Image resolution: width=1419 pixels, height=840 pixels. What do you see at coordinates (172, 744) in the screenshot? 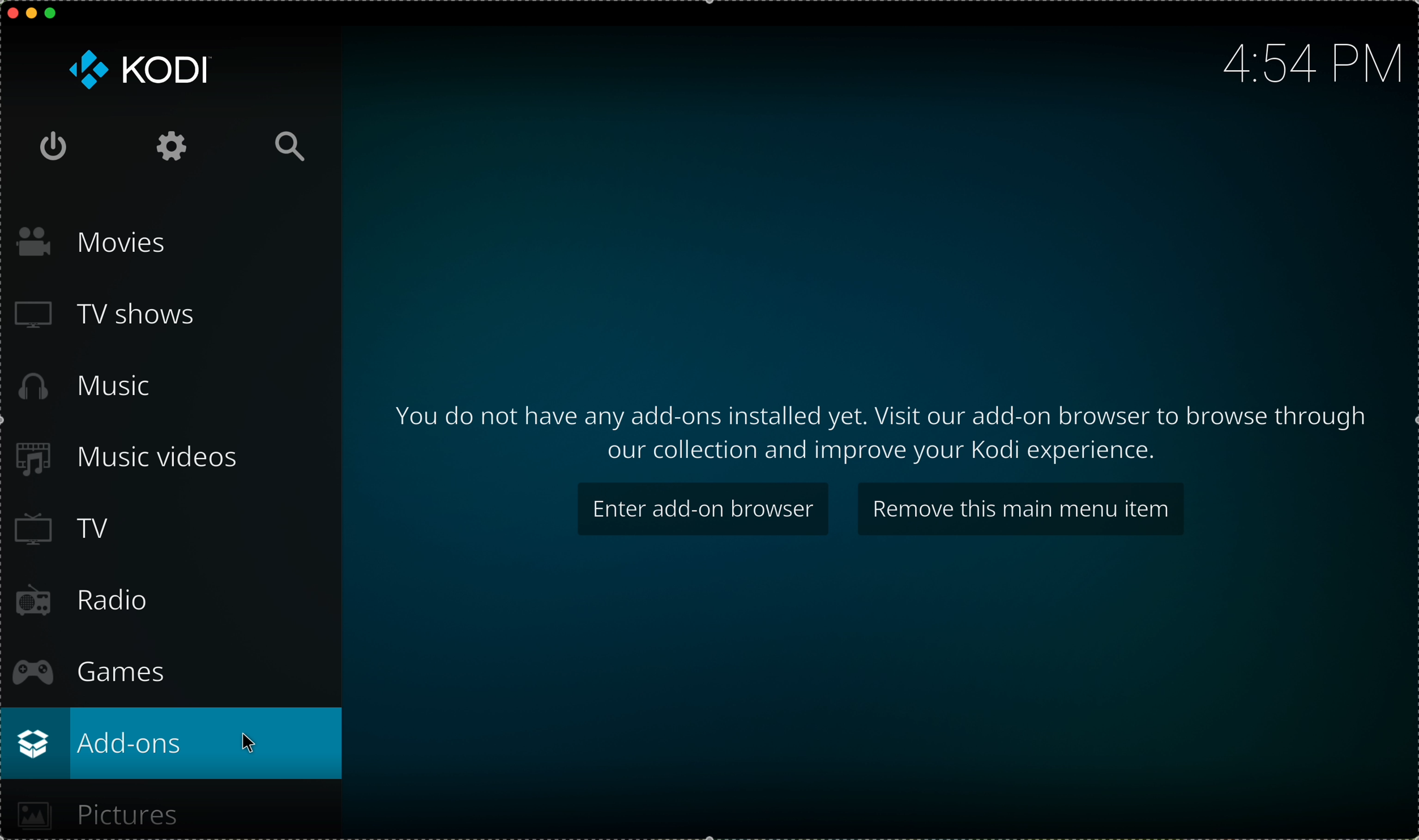
I see `click on add ons` at bounding box center [172, 744].